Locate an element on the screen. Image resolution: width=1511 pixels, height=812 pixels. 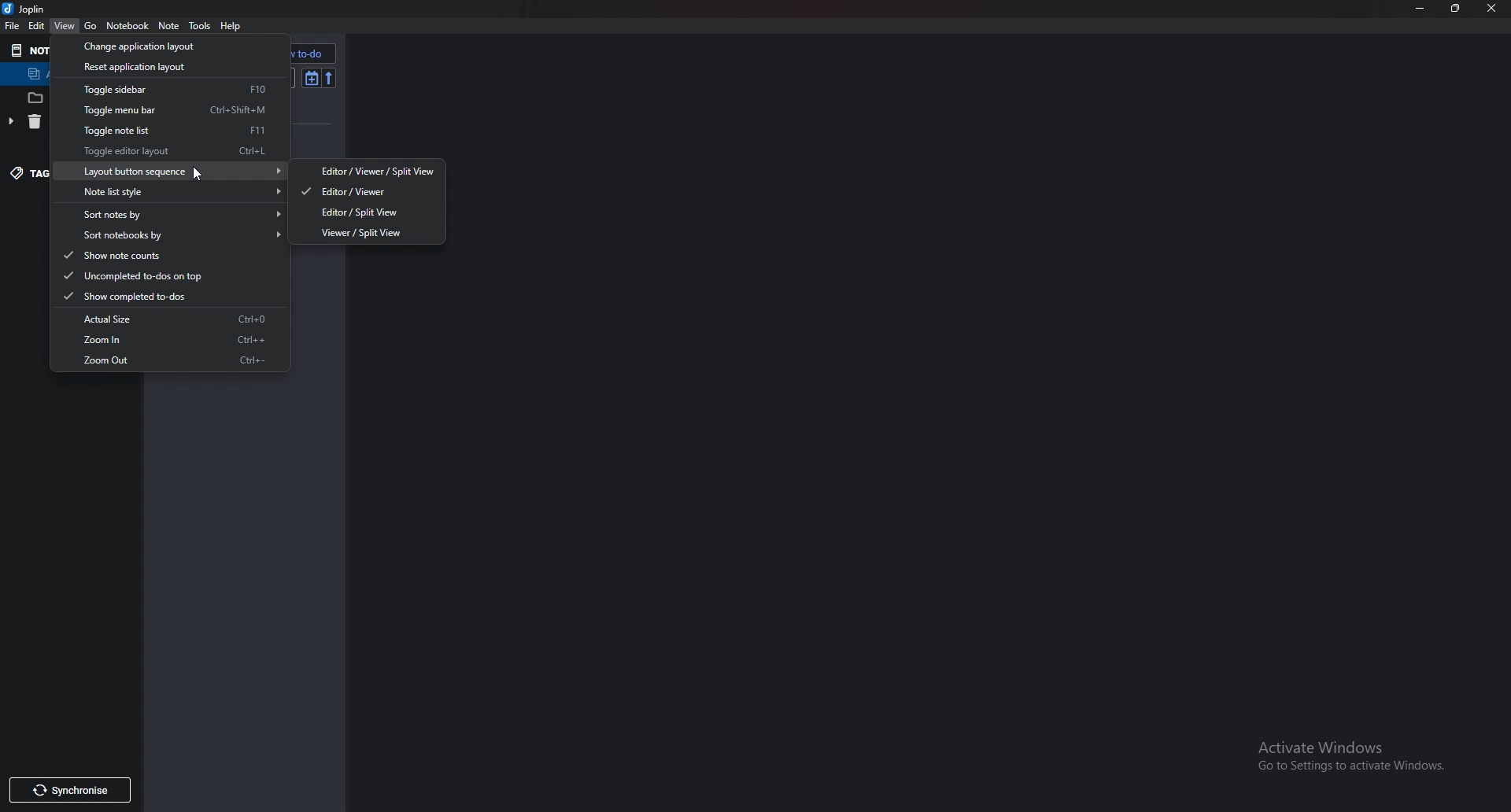
Show completed to do is located at coordinates (157, 296).